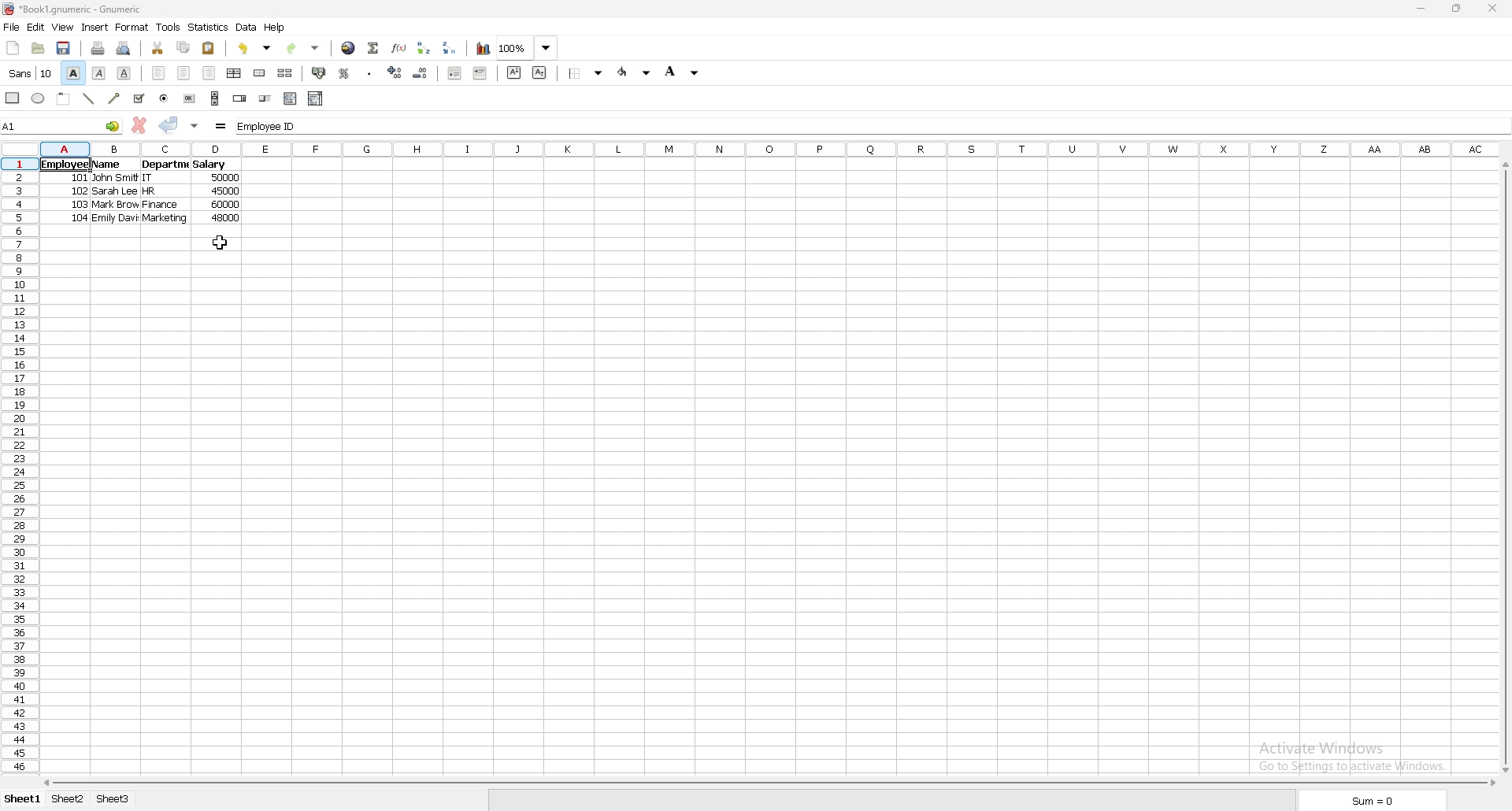 Image resolution: width=1512 pixels, height=811 pixels. What do you see at coordinates (125, 74) in the screenshot?
I see `underline` at bounding box center [125, 74].